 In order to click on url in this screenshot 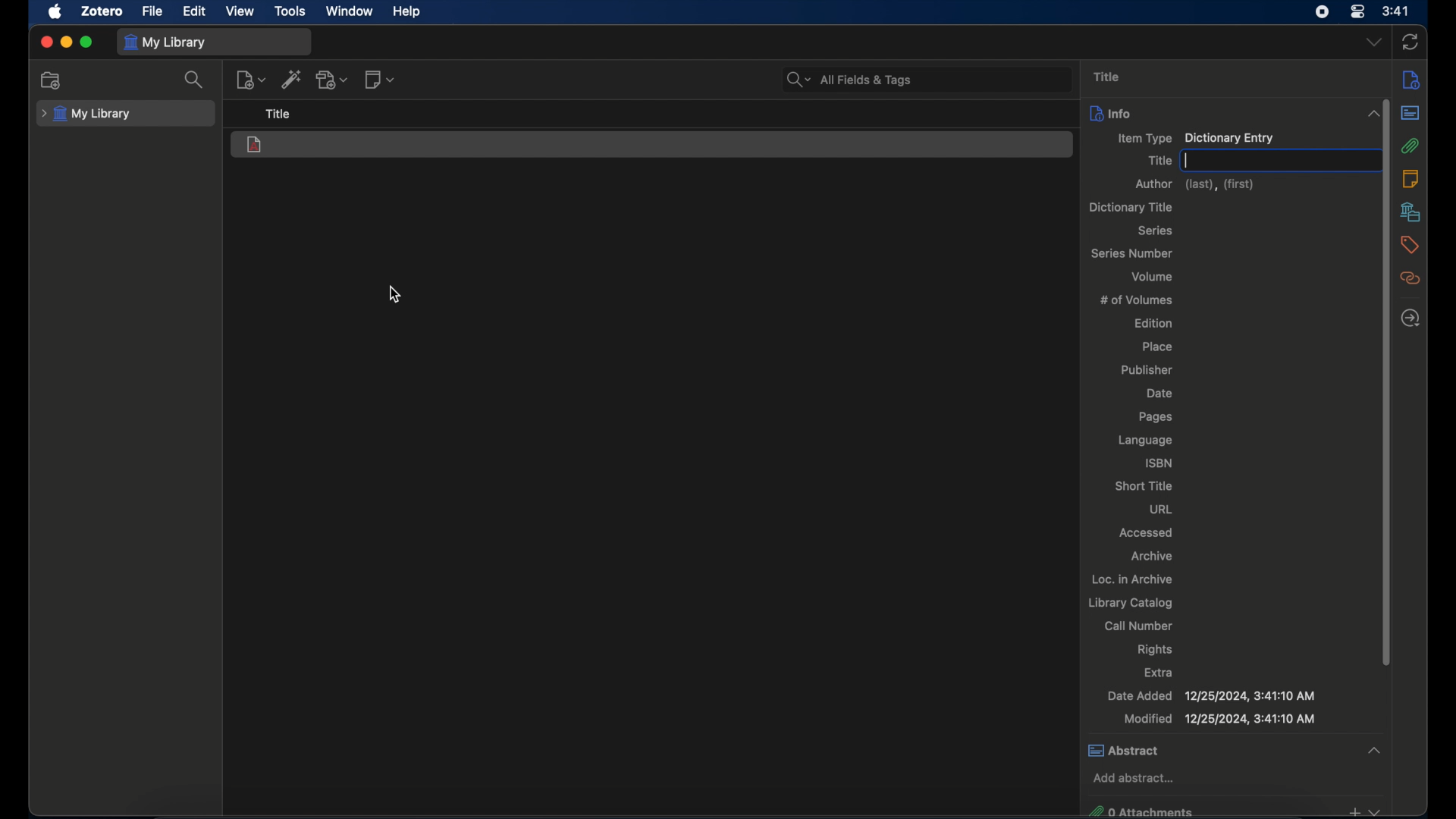, I will do `click(1161, 509)`.